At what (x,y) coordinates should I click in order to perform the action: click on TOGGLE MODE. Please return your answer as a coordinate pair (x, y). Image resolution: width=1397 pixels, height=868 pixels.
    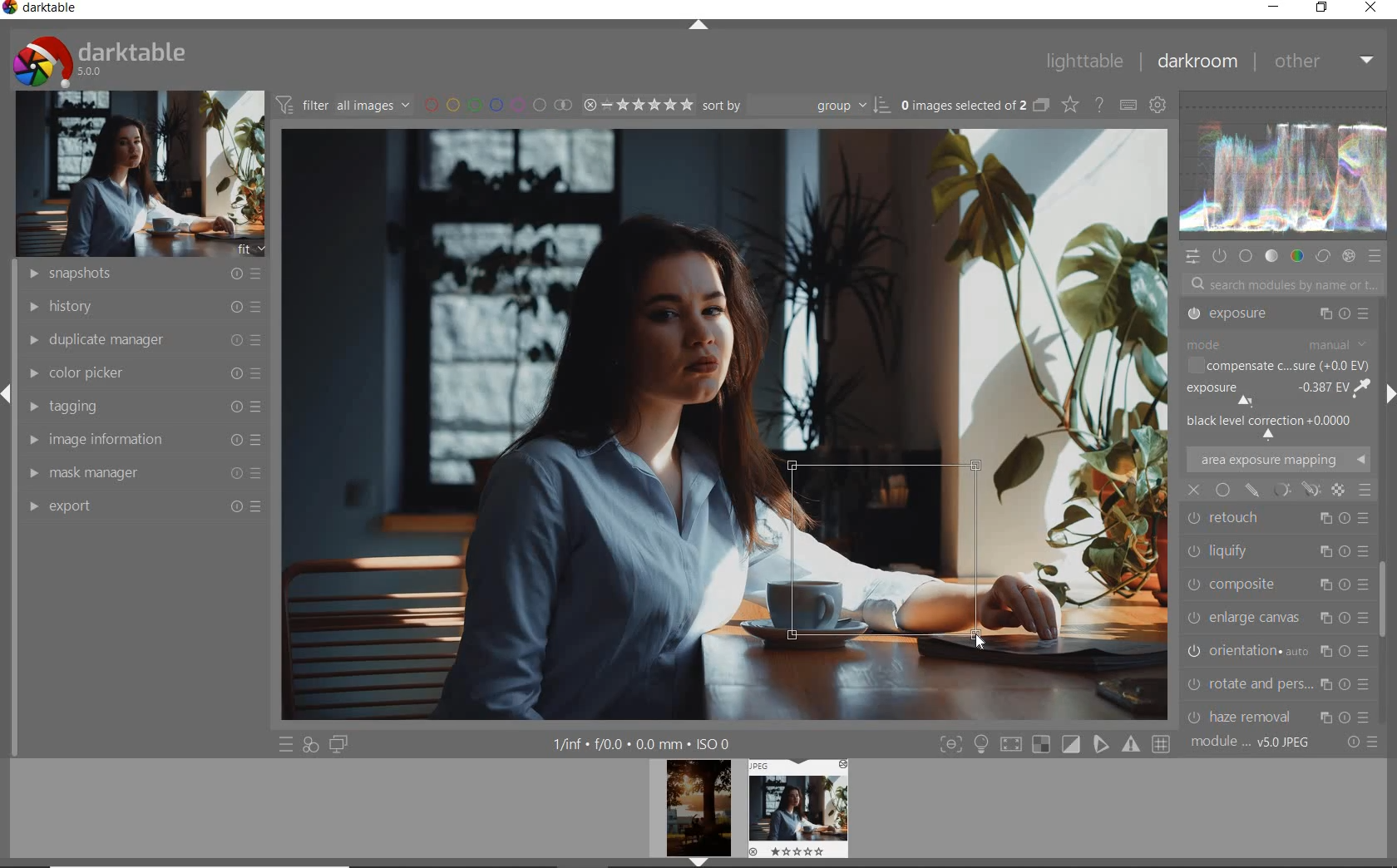
    Looking at the image, I should click on (1054, 744).